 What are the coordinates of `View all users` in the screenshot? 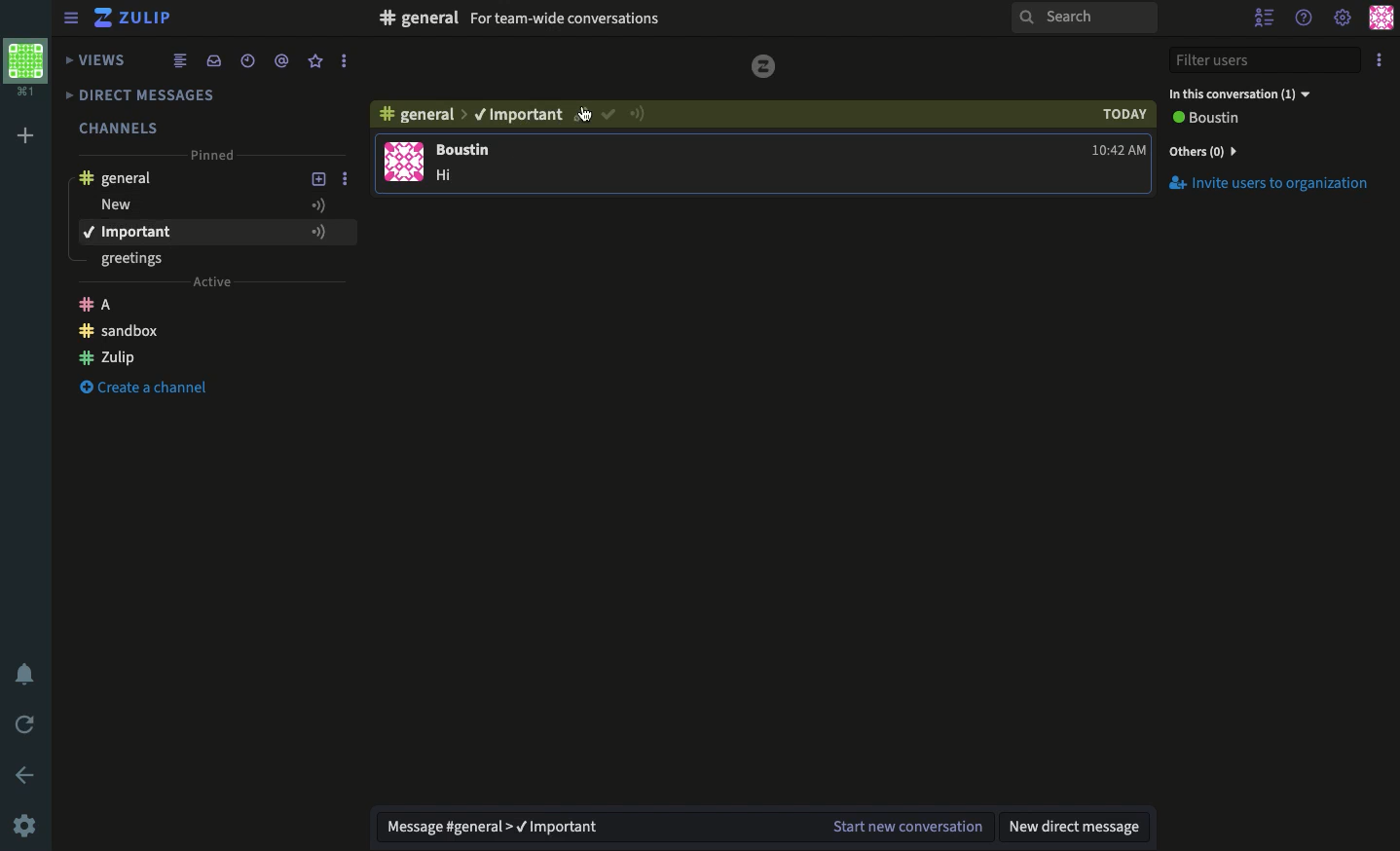 It's located at (1220, 120).